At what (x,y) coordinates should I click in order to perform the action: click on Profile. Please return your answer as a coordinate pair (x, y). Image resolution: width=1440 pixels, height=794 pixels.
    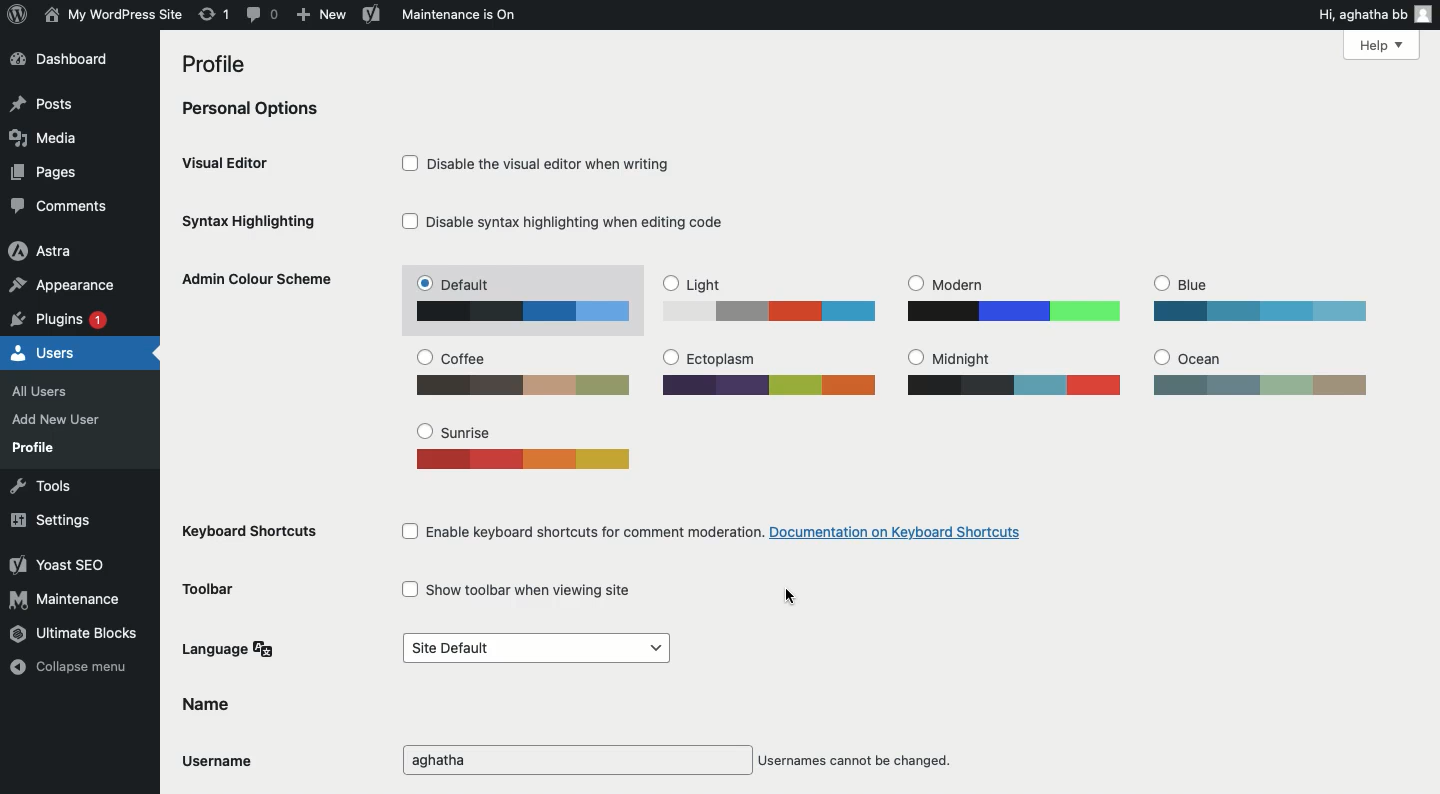
    Looking at the image, I should click on (40, 449).